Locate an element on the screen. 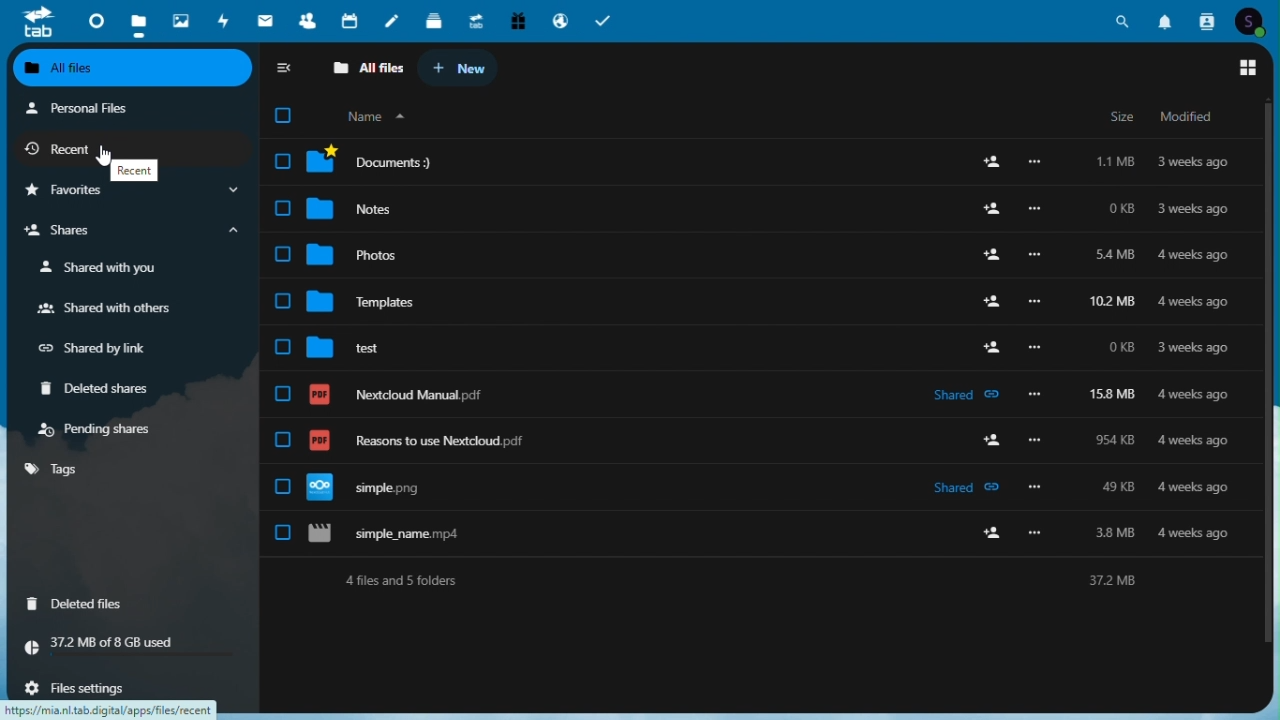  All files is located at coordinates (137, 69).